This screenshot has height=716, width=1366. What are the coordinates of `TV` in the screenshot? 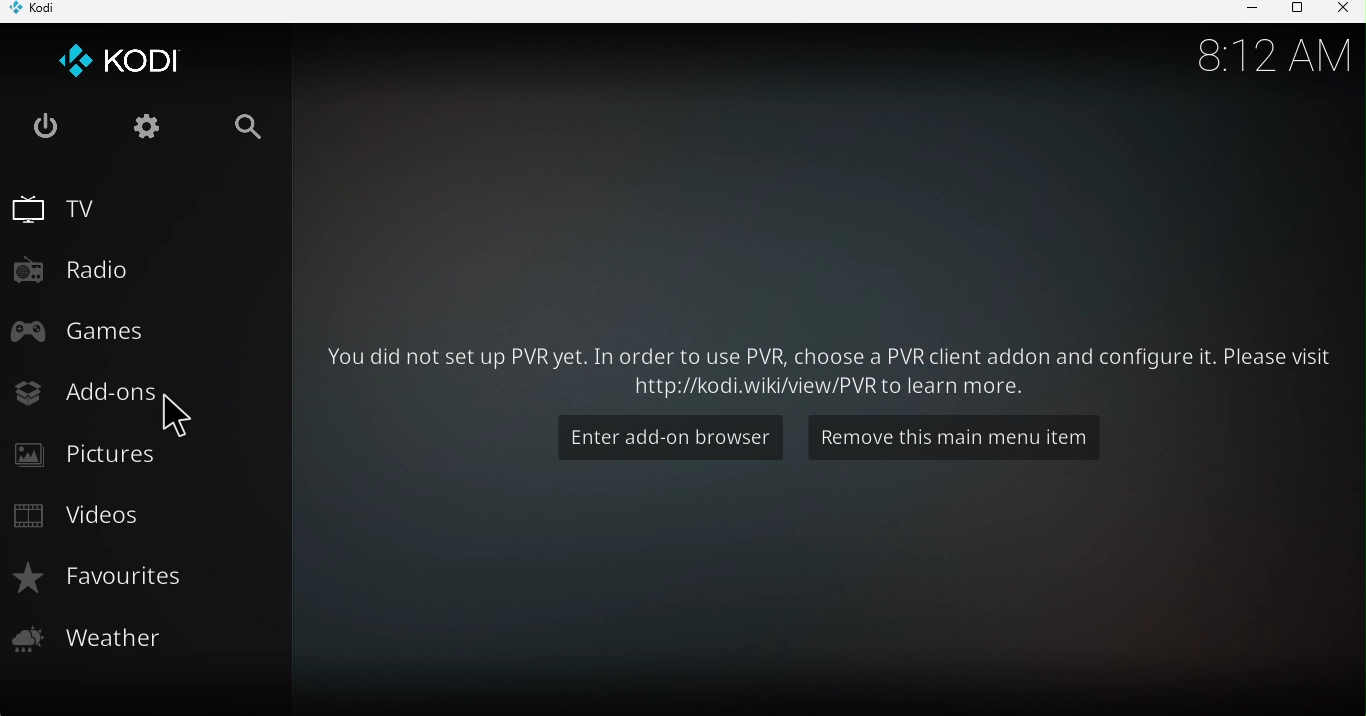 It's located at (69, 207).